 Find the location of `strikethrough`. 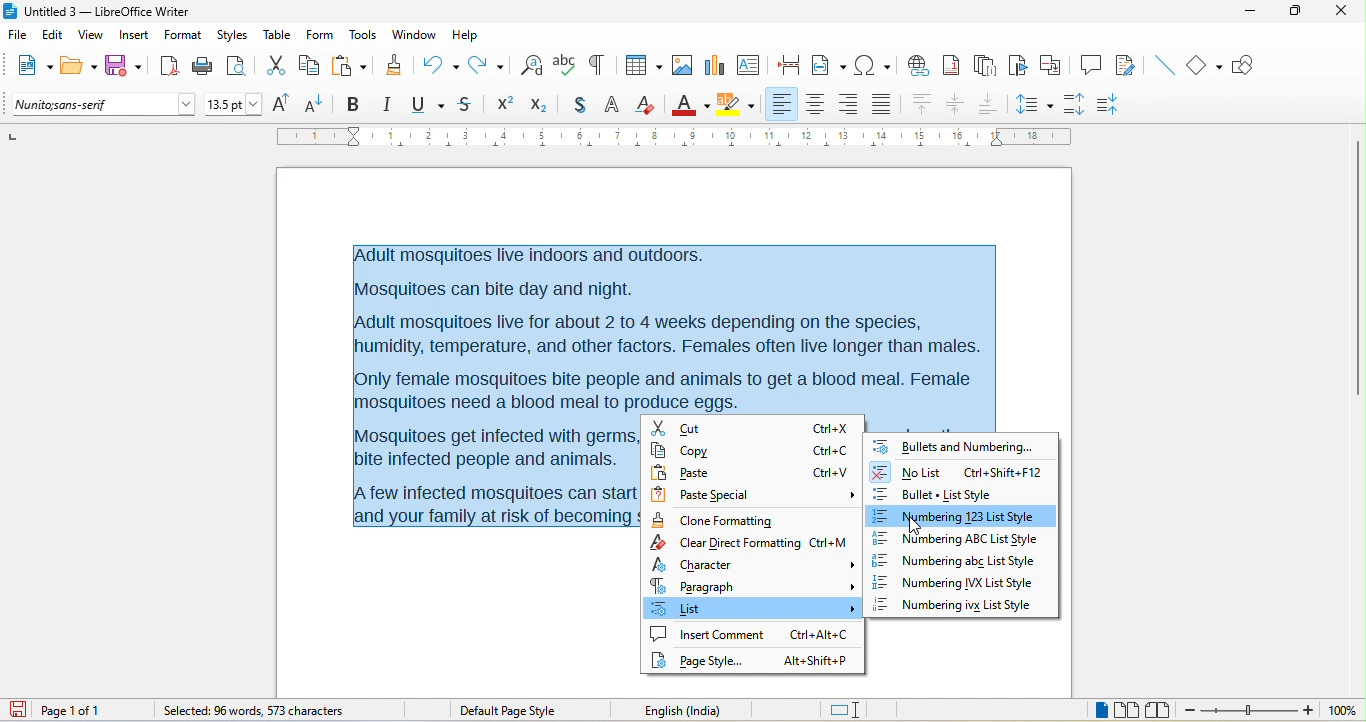

strikethrough is located at coordinates (466, 106).